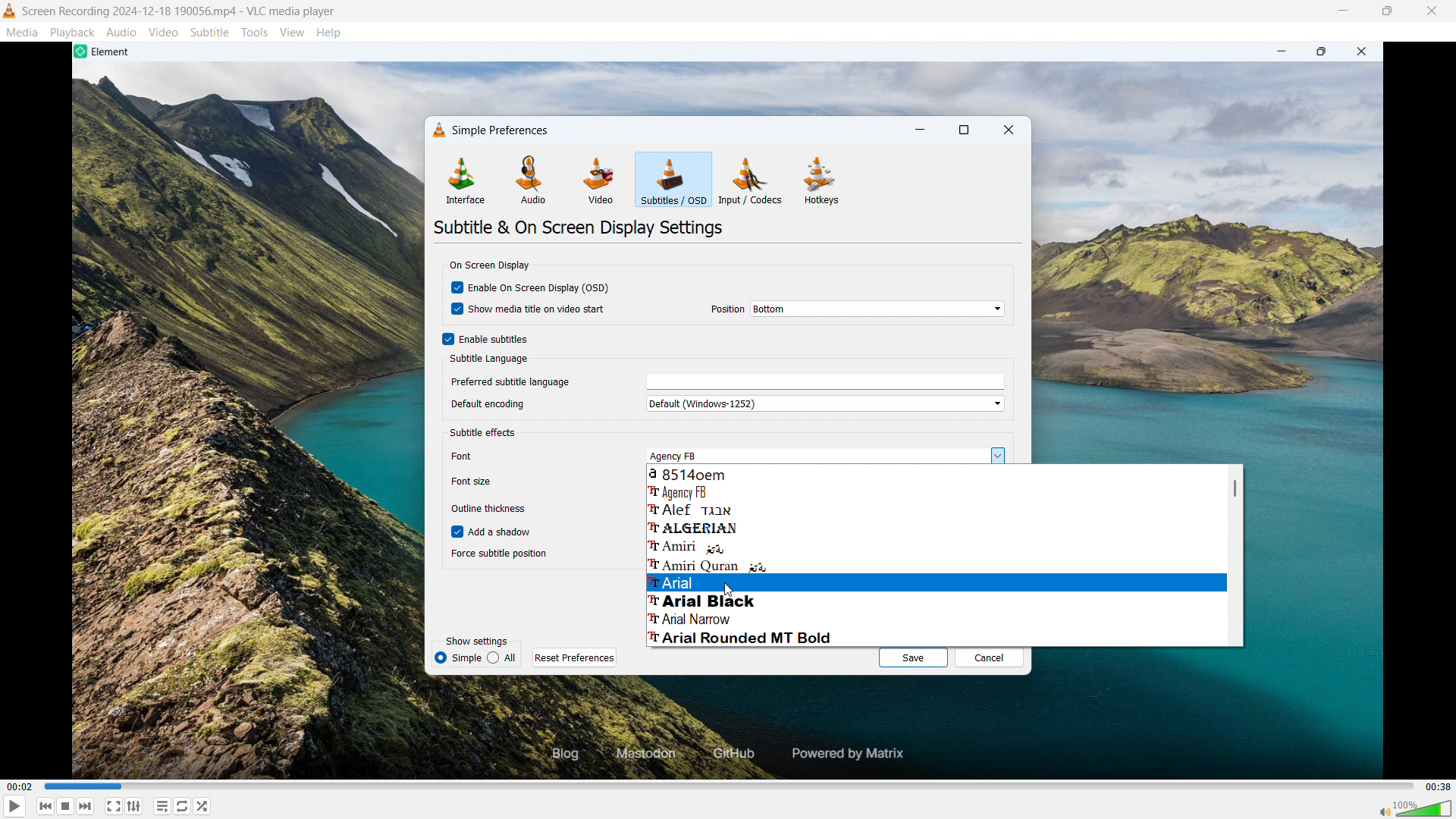 This screenshot has width=1456, height=819. Describe the element at coordinates (728, 309) in the screenshot. I see `Position` at that location.